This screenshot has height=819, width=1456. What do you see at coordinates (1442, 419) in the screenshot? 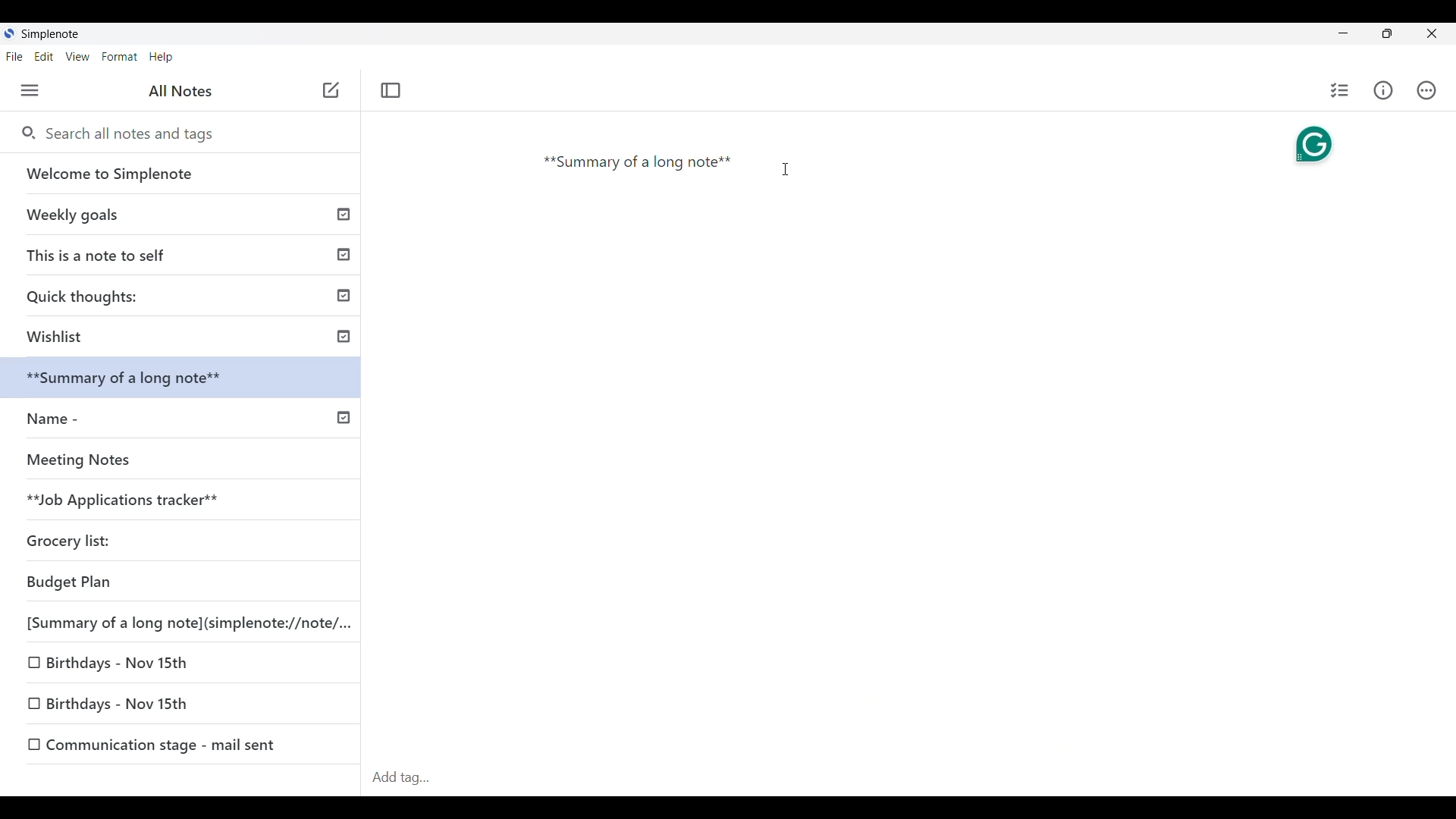
I see `Vertical scroll bar` at bounding box center [1442, 419].